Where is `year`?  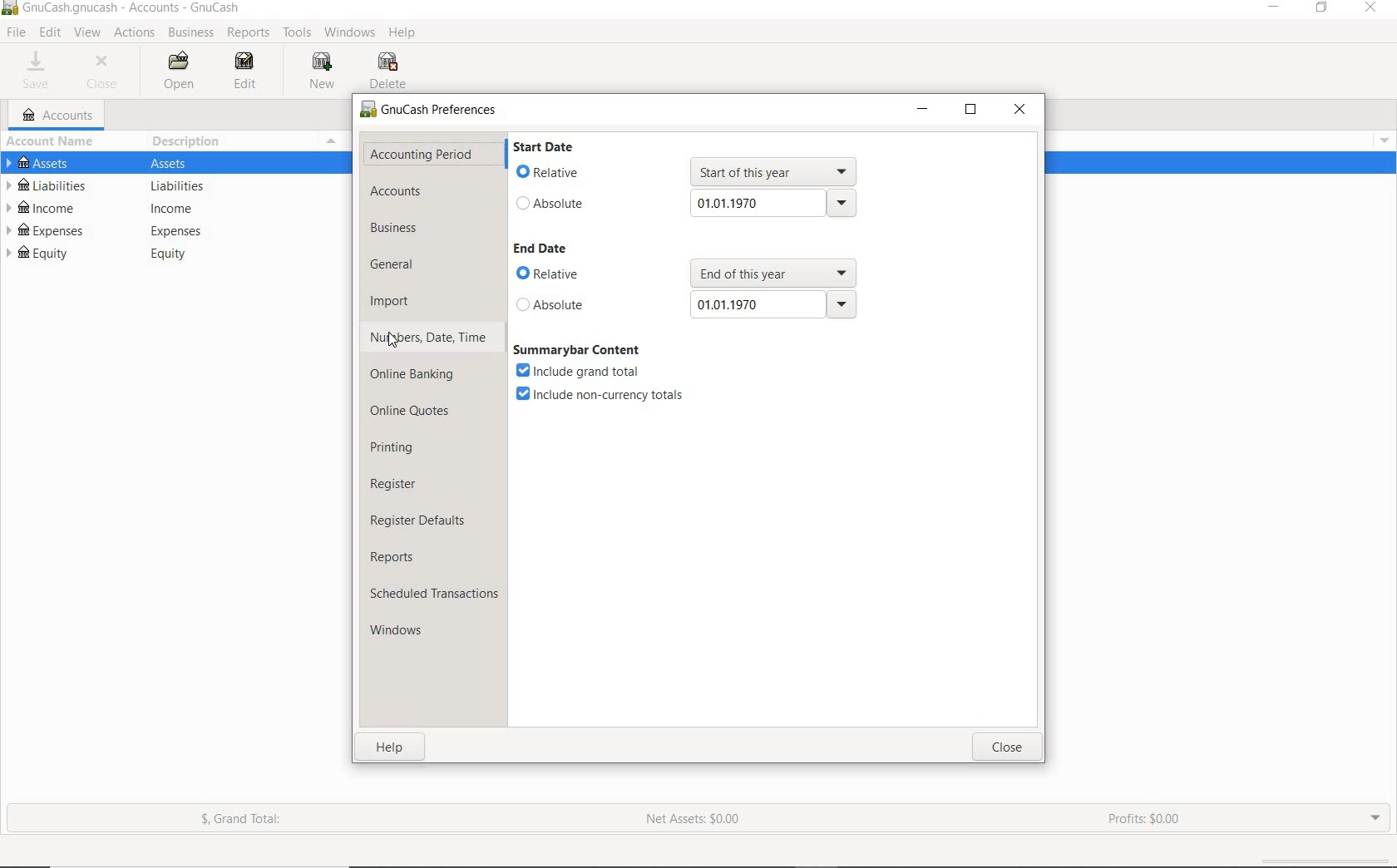
year is located at coordinates (772, 204).